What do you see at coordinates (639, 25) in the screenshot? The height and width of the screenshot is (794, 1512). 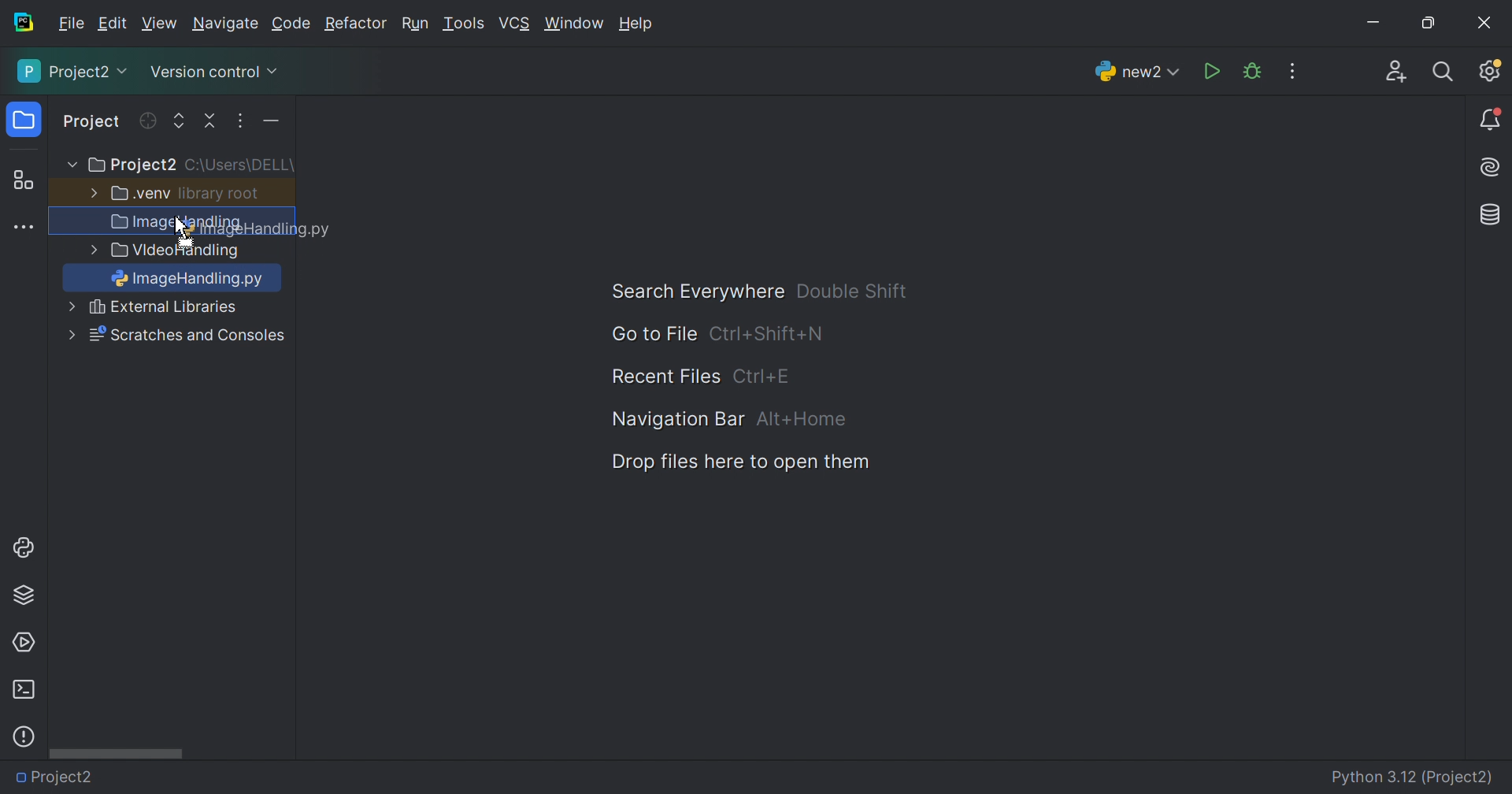 I see `Help` at bounding box center [639, 25].